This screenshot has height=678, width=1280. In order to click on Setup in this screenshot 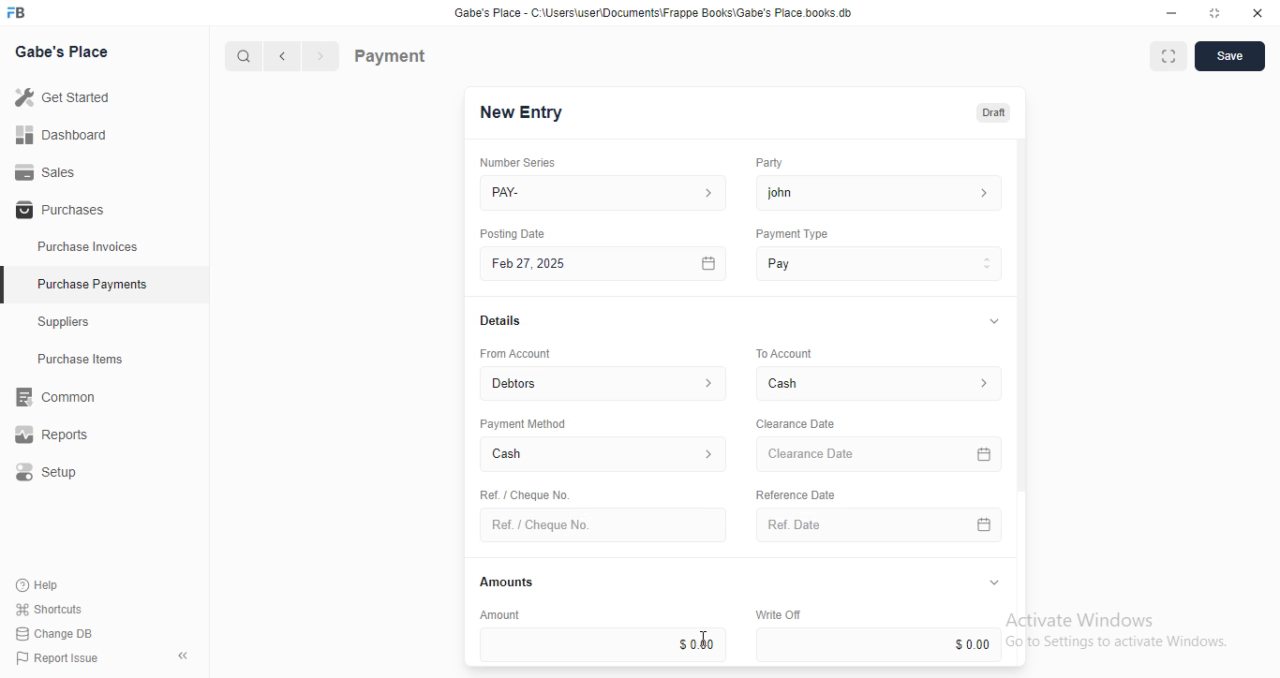, I will do `click(61, 473)`.